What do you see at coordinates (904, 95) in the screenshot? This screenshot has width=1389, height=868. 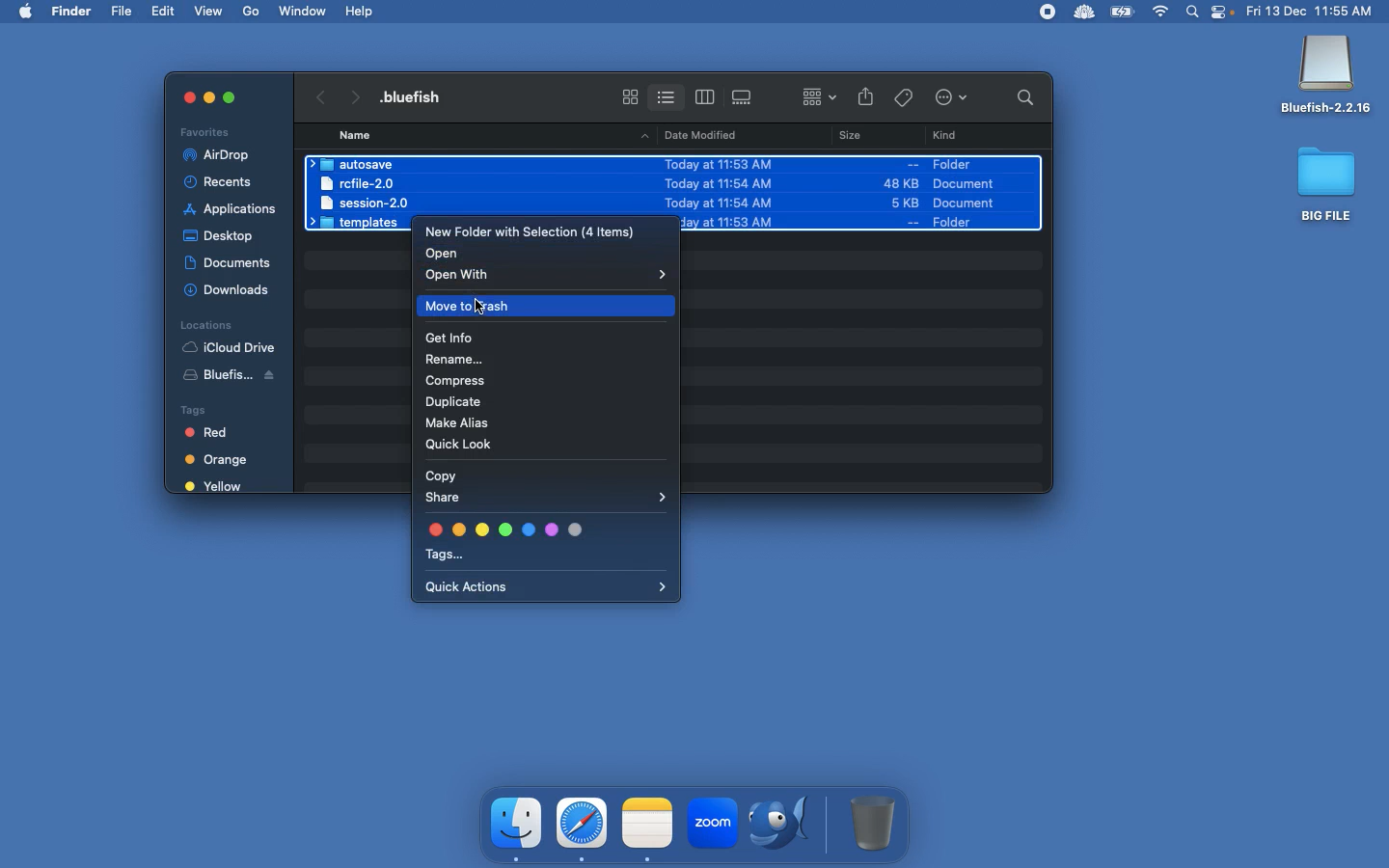 I see `tags` at bounding box center [904, 95].